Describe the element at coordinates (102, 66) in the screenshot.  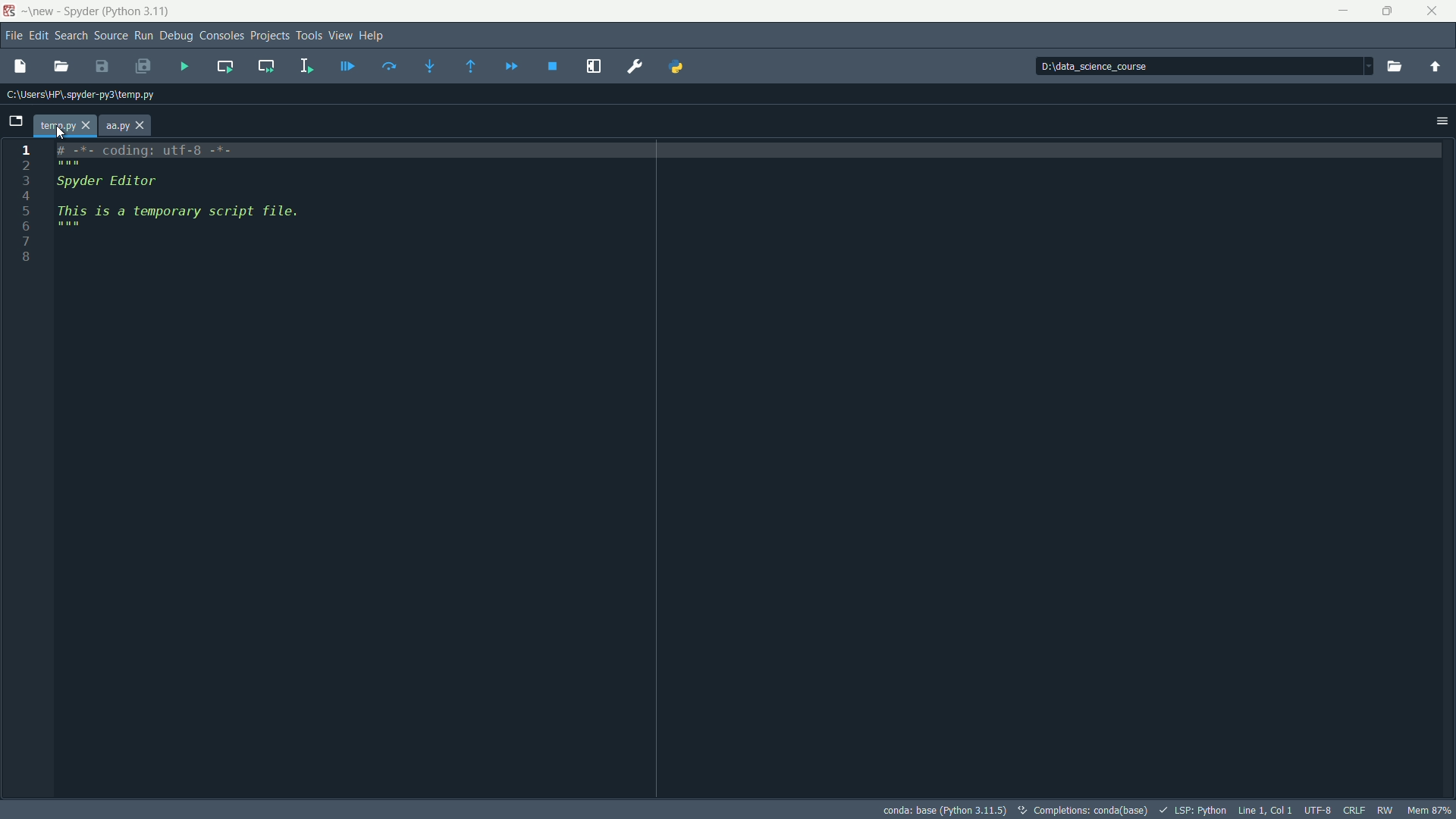
I see `save file` at that location.